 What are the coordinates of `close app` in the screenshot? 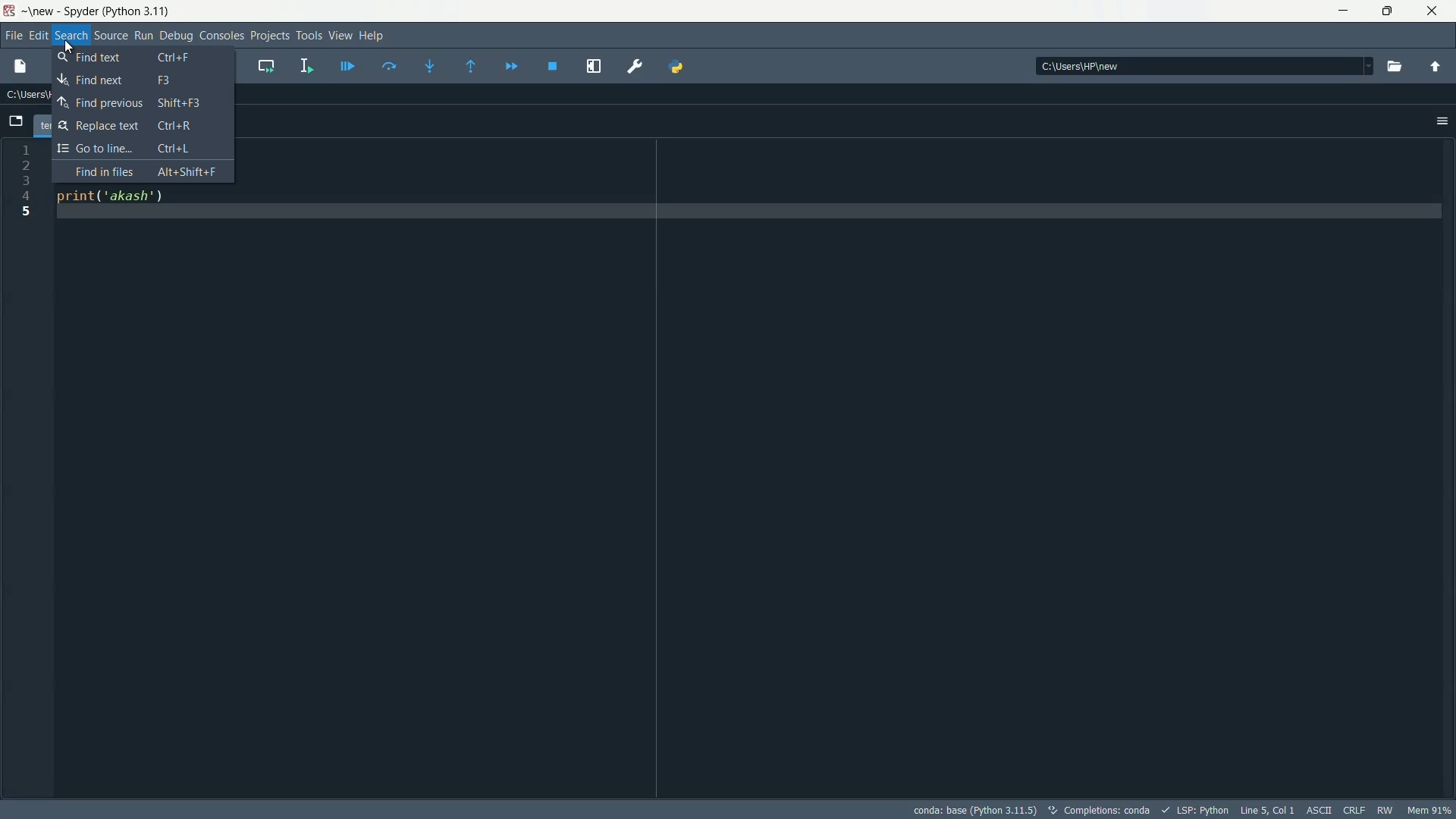 It's located at (1435, 11).